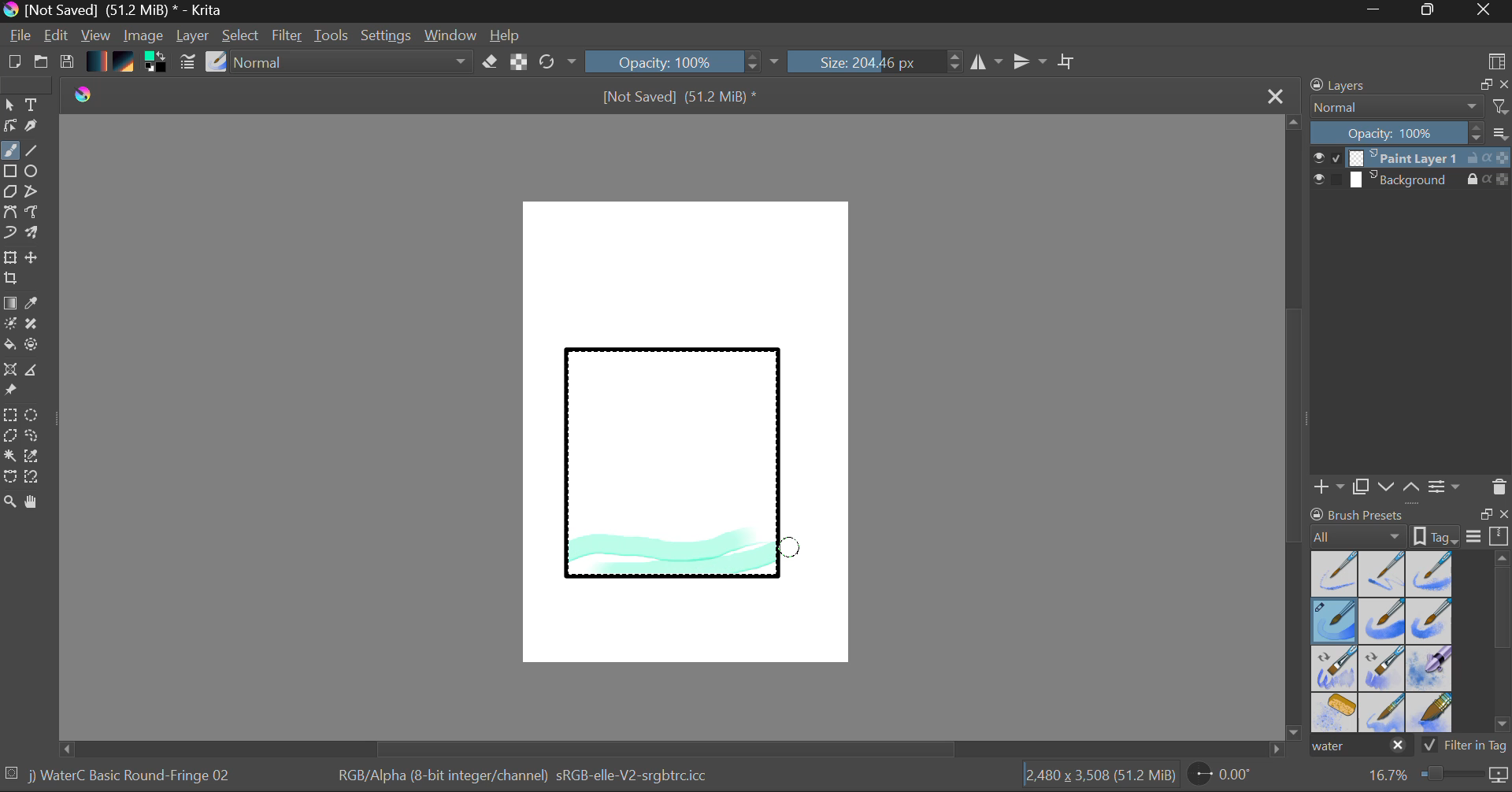 The width and height of the screenshot is (1512, 792). What do you see at coordinates (1383, 622) in the screenshot?
I see `Water C - Grain` at bounding box center [1383, 622].